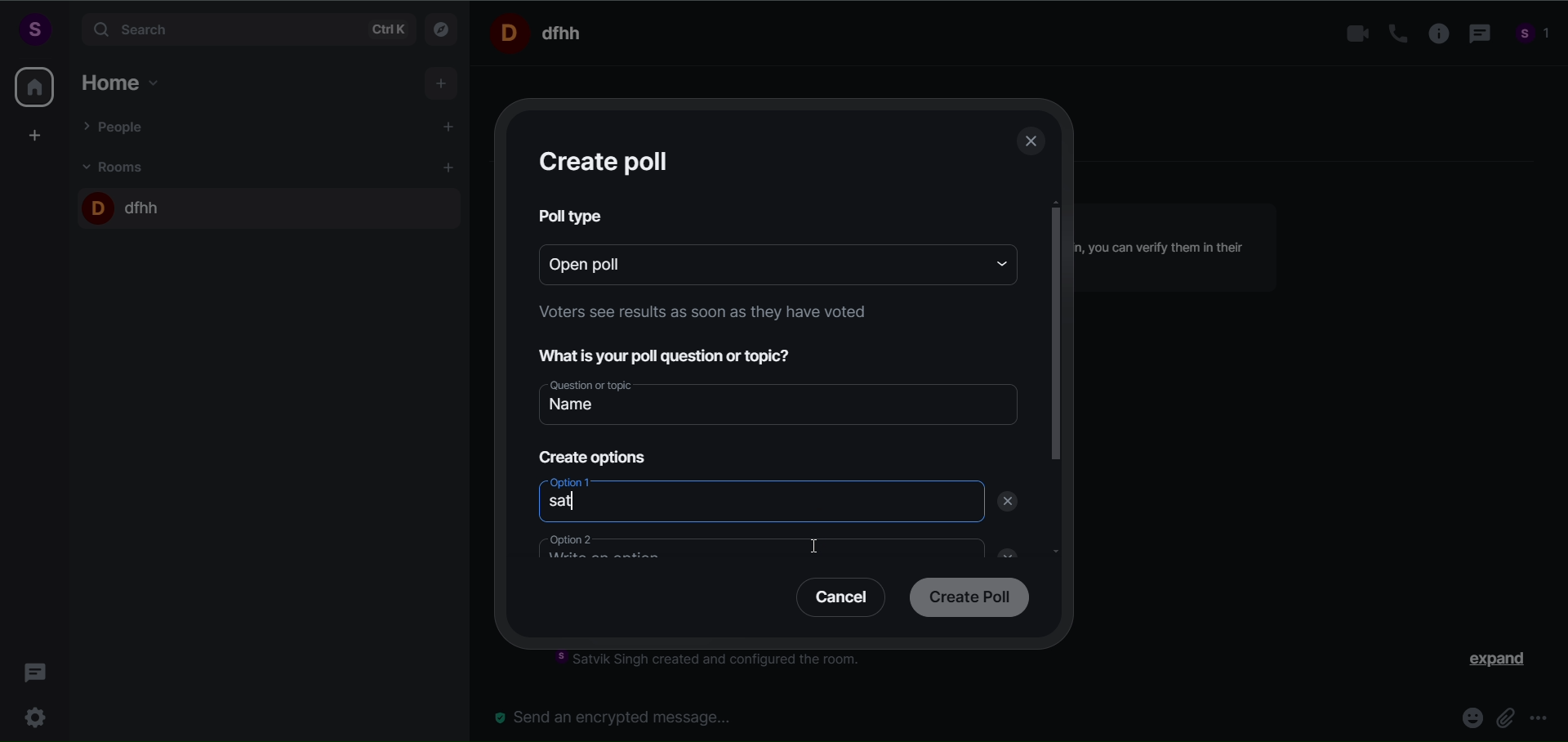 Image resolution: width=1568 pixels, height=742 pixels. What do you see at coordinates (1504, 717) in the screenshot?
I see `attachment` at bounding box center [1504, 717].